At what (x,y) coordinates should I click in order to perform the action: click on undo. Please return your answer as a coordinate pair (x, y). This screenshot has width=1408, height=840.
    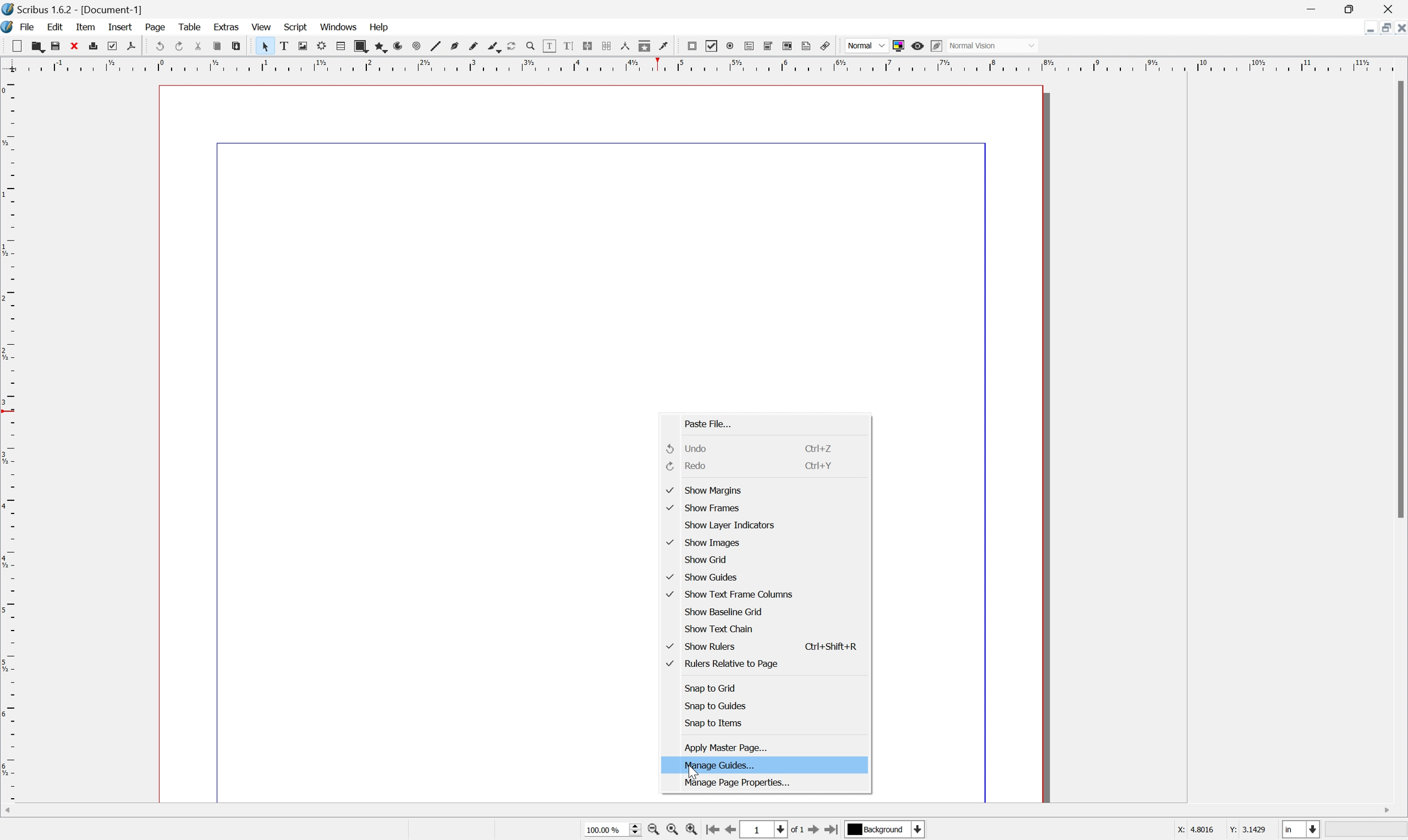
    Looking at the image, I should click on (692, 448).